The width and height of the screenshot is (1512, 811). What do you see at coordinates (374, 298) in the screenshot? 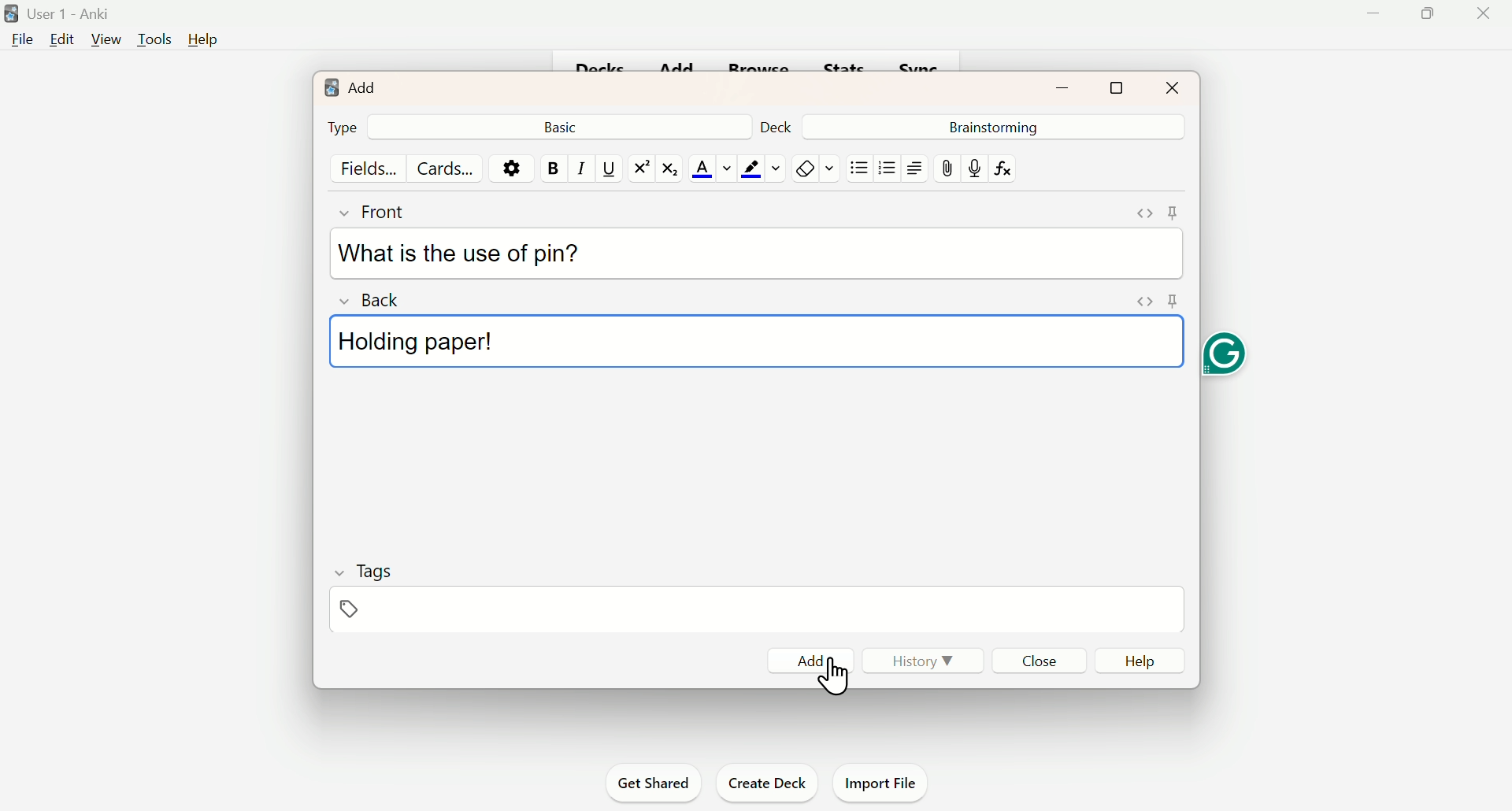
I see `Back` at bounding box center [374, 298].